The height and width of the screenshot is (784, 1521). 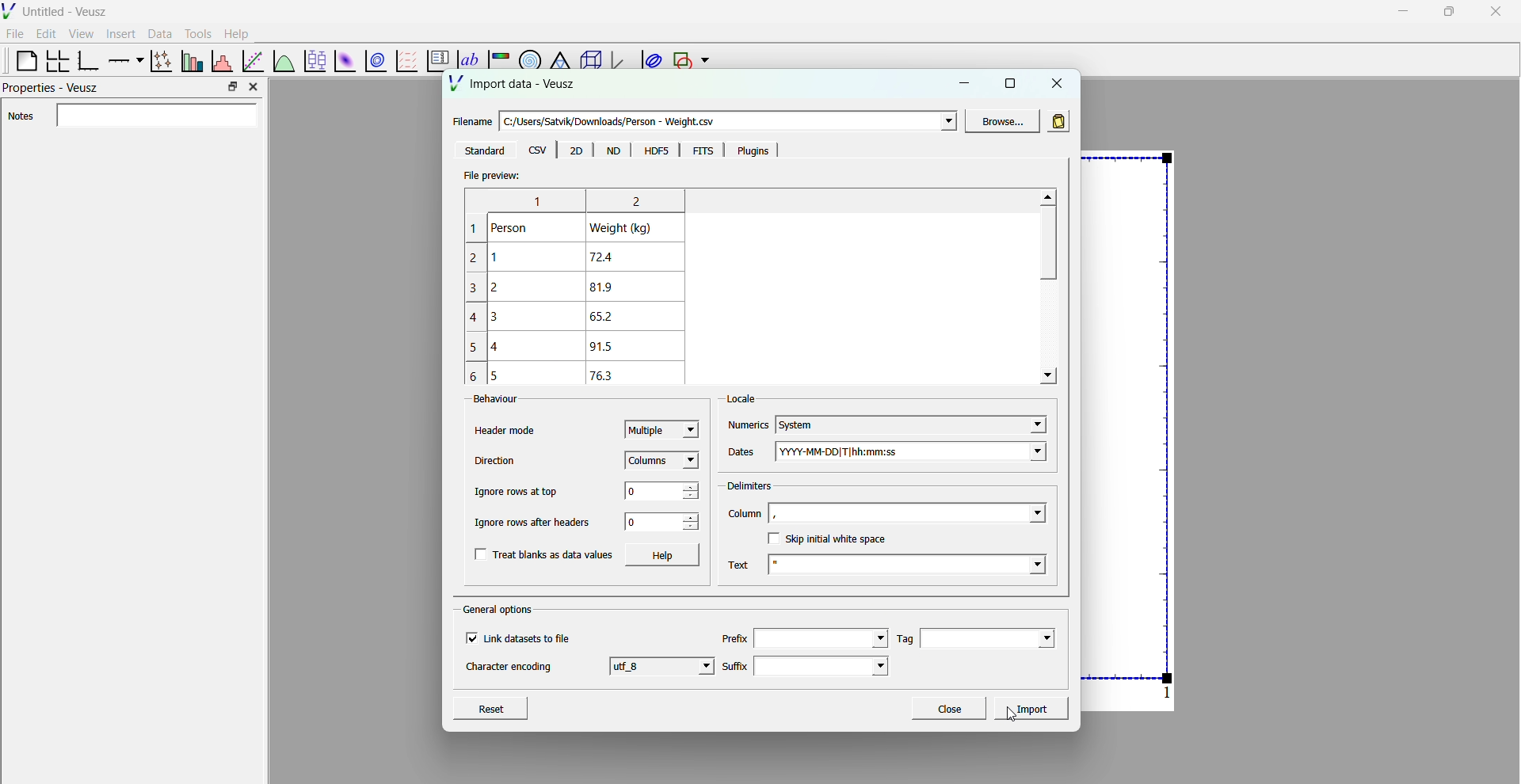 What do you see at coordinates (48, 34) in the screenshot?
I see `edit` at bounding box center [48, 34].